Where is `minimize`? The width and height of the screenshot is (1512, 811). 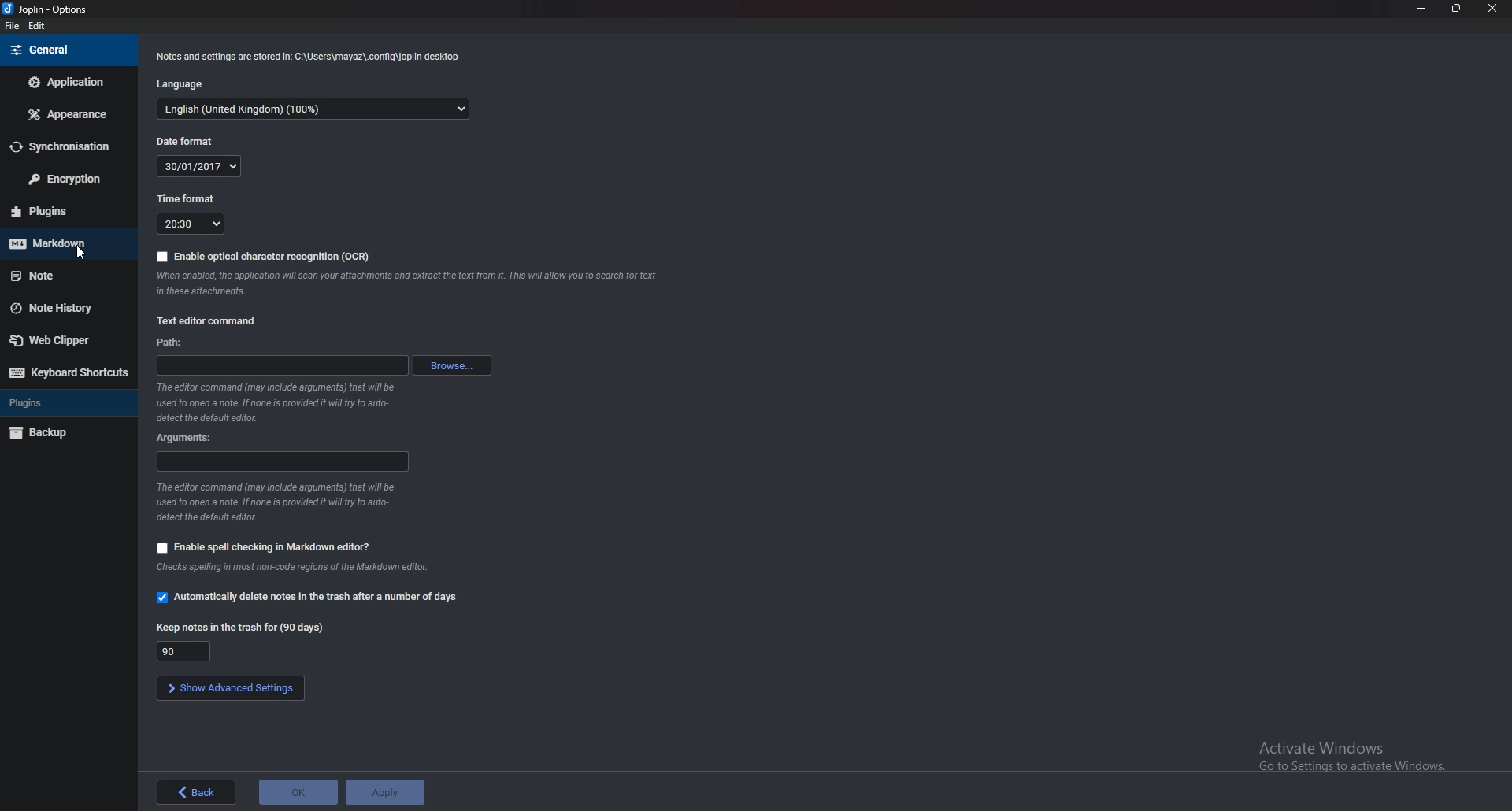
minimize is located at coordinates (1420, 9).